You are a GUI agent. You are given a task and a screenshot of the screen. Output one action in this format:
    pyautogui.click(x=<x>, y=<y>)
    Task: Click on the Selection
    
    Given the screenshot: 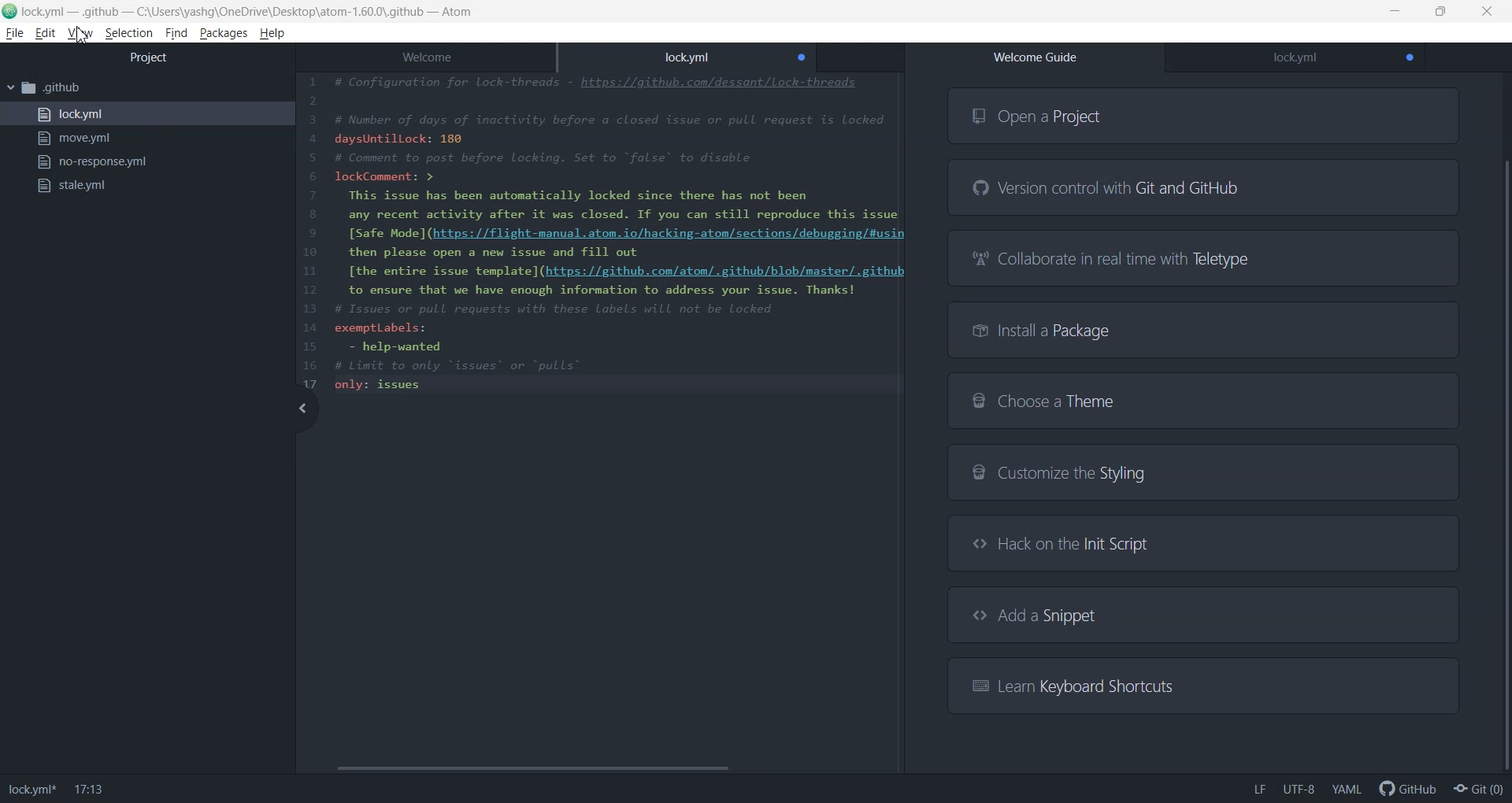 What is the action you would take?
    pyautogui.click(x=128, y=34)
    